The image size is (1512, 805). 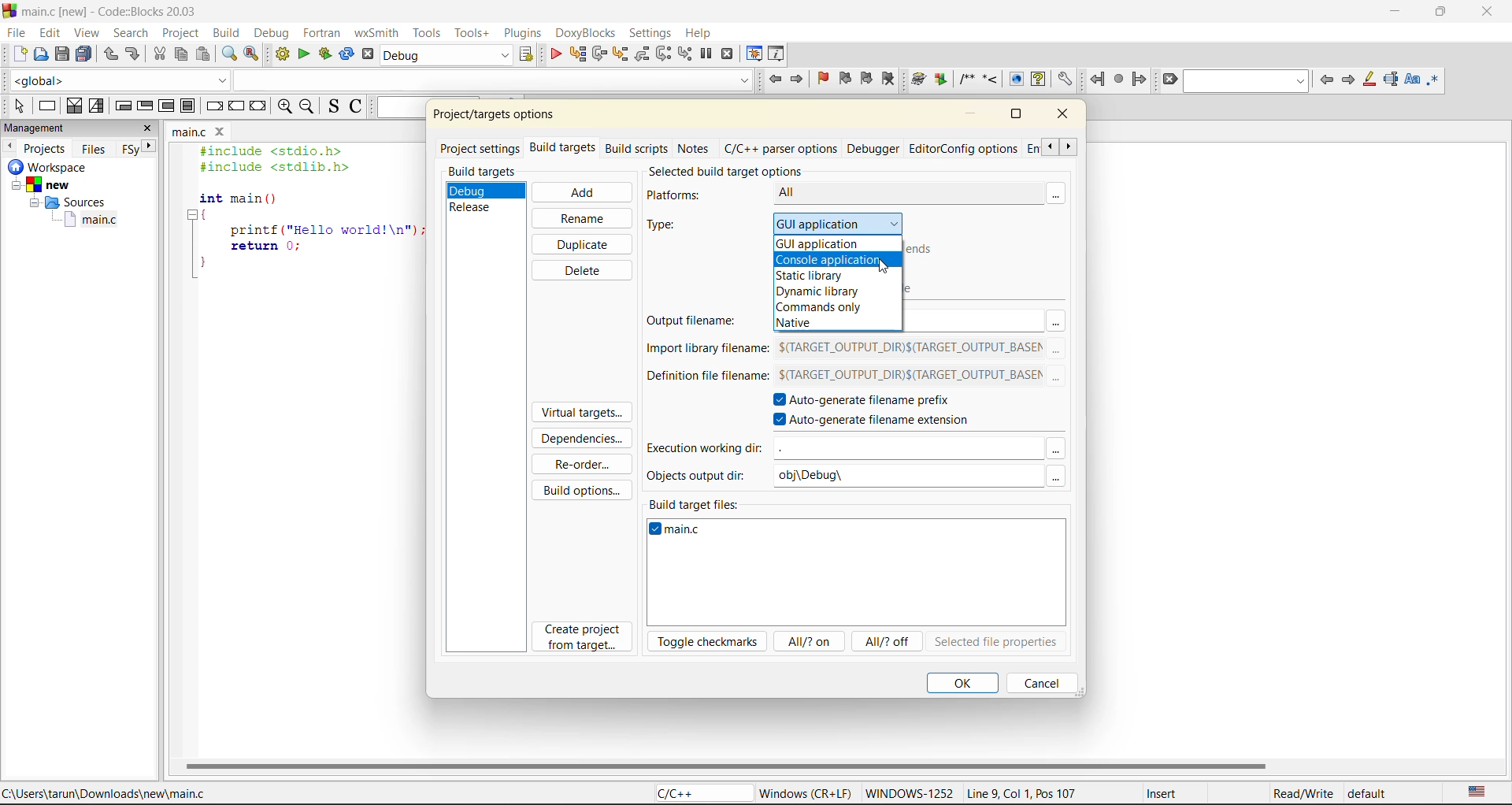 I want to click on All, so click(x=888, y=192).